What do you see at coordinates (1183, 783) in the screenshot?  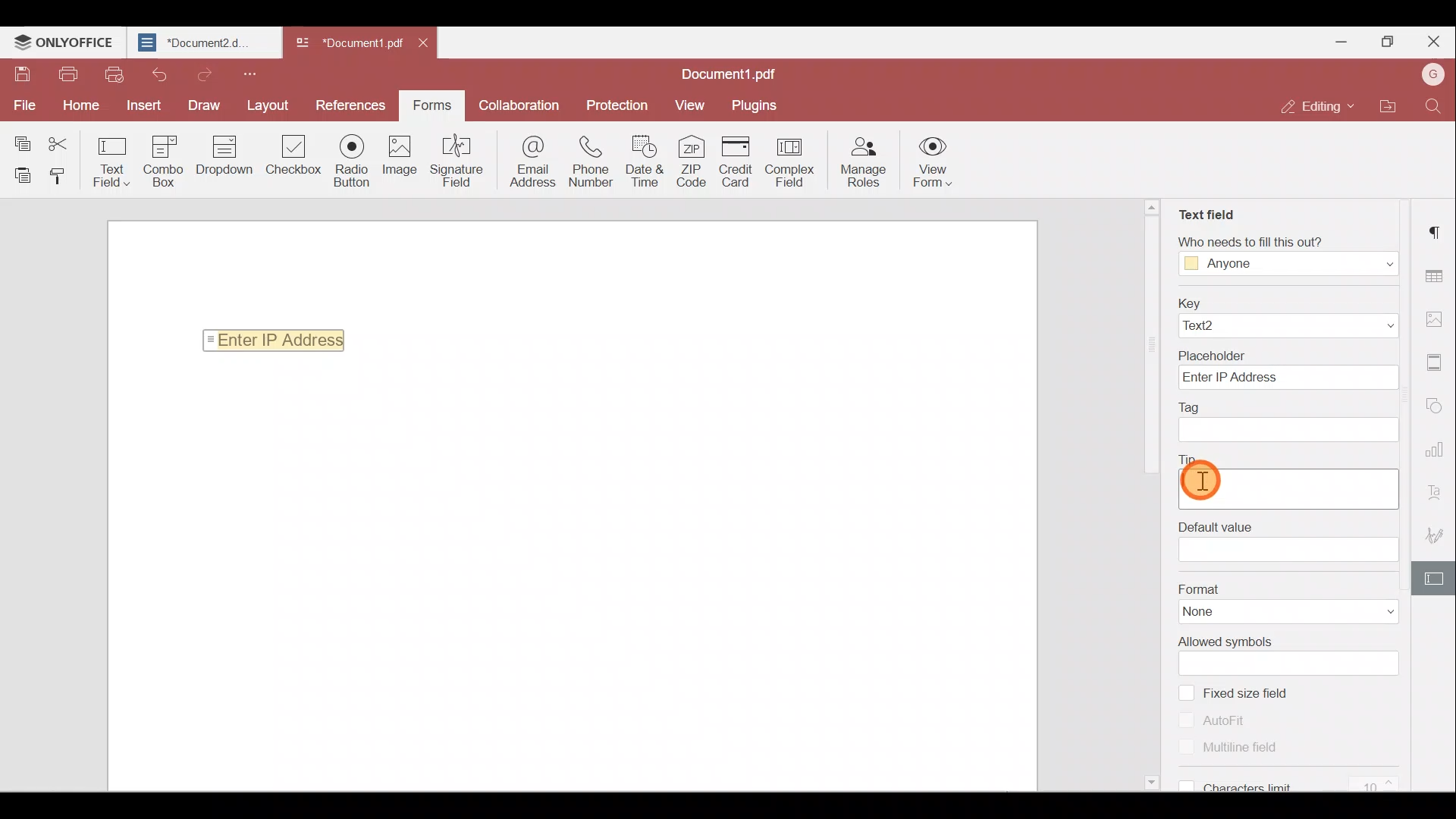 I see `checkbox` at bounding box center [1183, 783].